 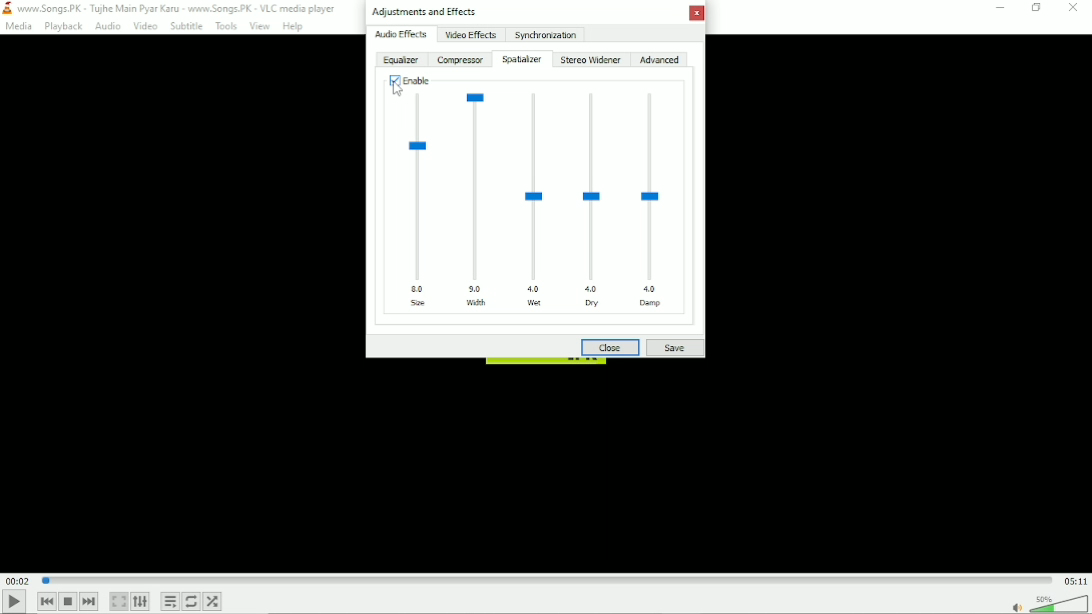 I want to click on Enabled, so click(x=409, y=80).